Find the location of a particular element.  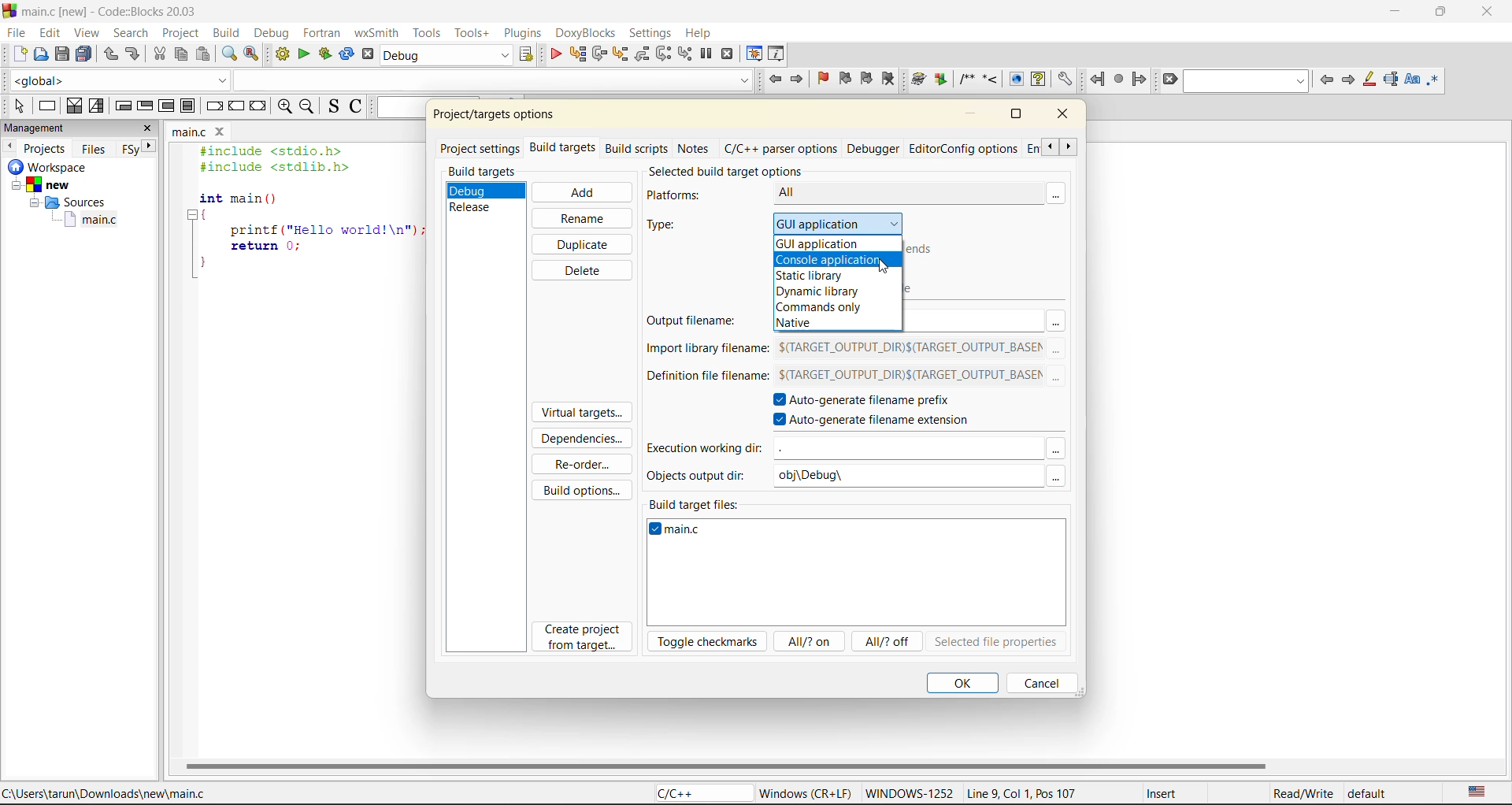

build targets is located at coordinates (565, 150).